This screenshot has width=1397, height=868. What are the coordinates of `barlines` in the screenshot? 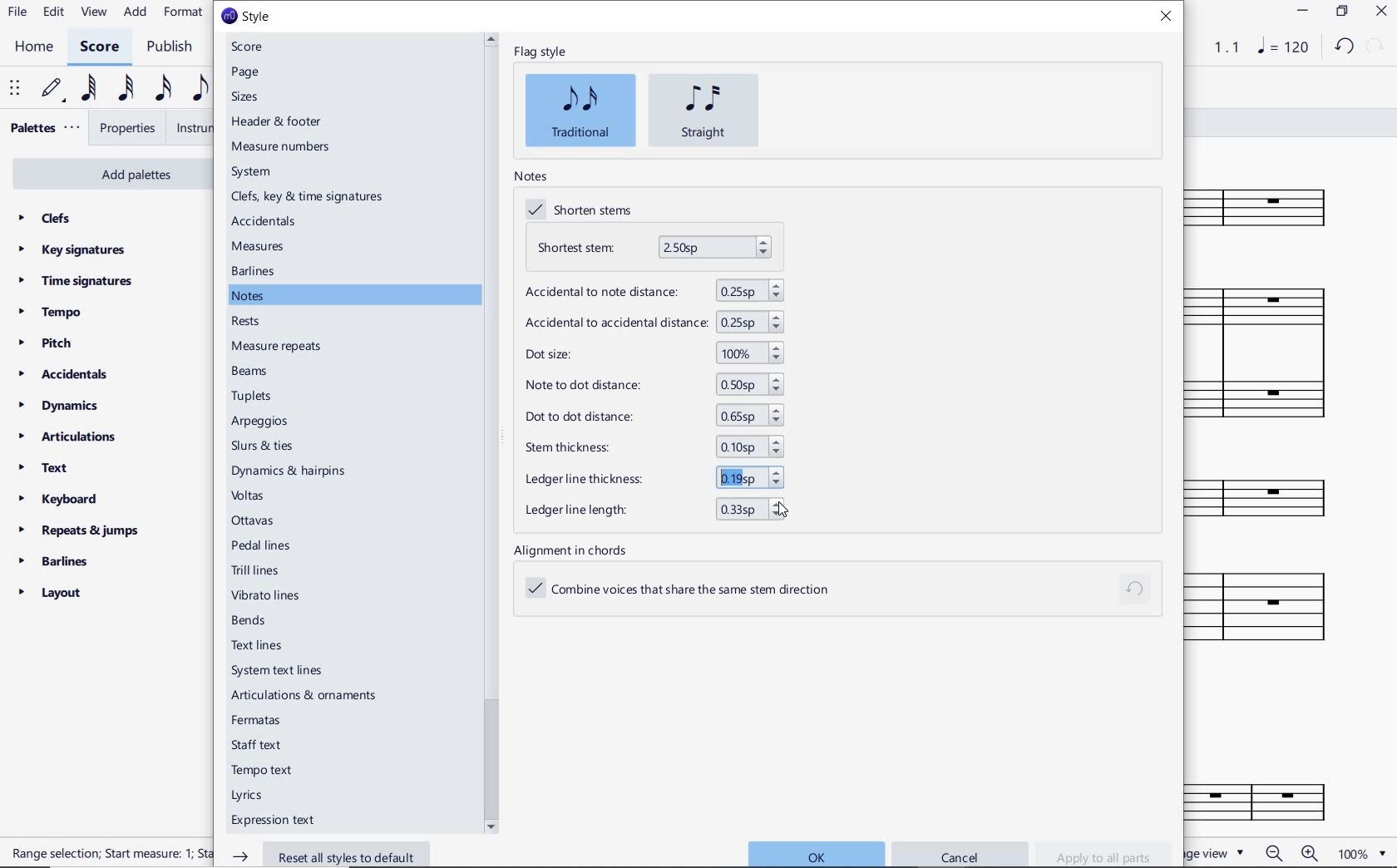 It's located at (254, 272).